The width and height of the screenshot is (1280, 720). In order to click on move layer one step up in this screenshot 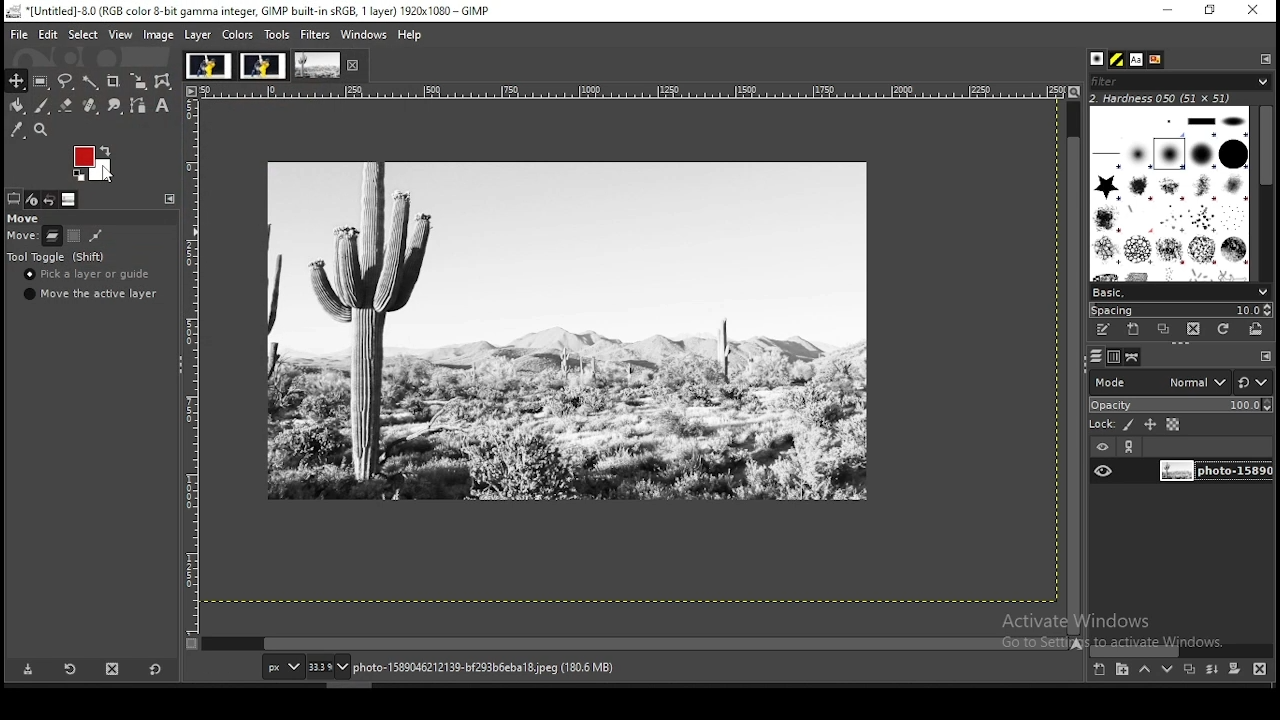, I will do `click(1144, 669)`.